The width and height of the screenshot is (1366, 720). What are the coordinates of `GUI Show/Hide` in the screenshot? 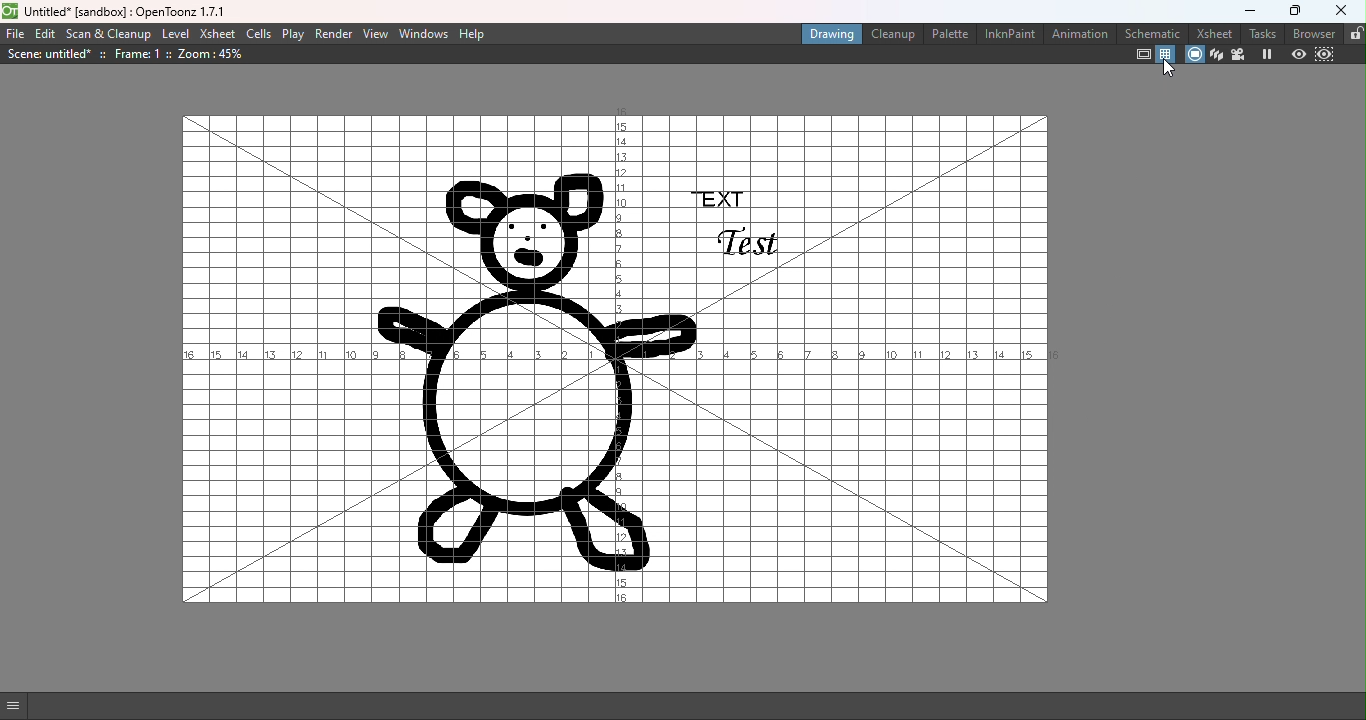 It's located at (22, 704).